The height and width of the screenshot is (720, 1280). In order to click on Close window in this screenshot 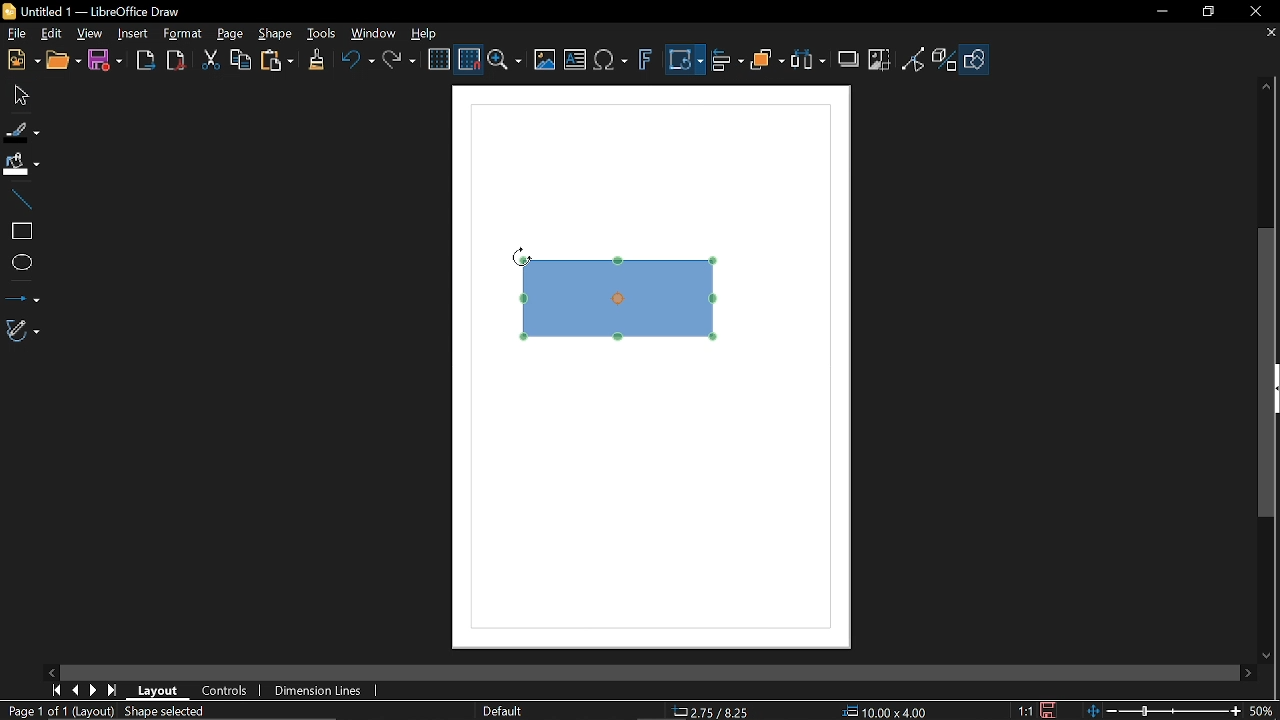, I will do `click(1254, 11)`.